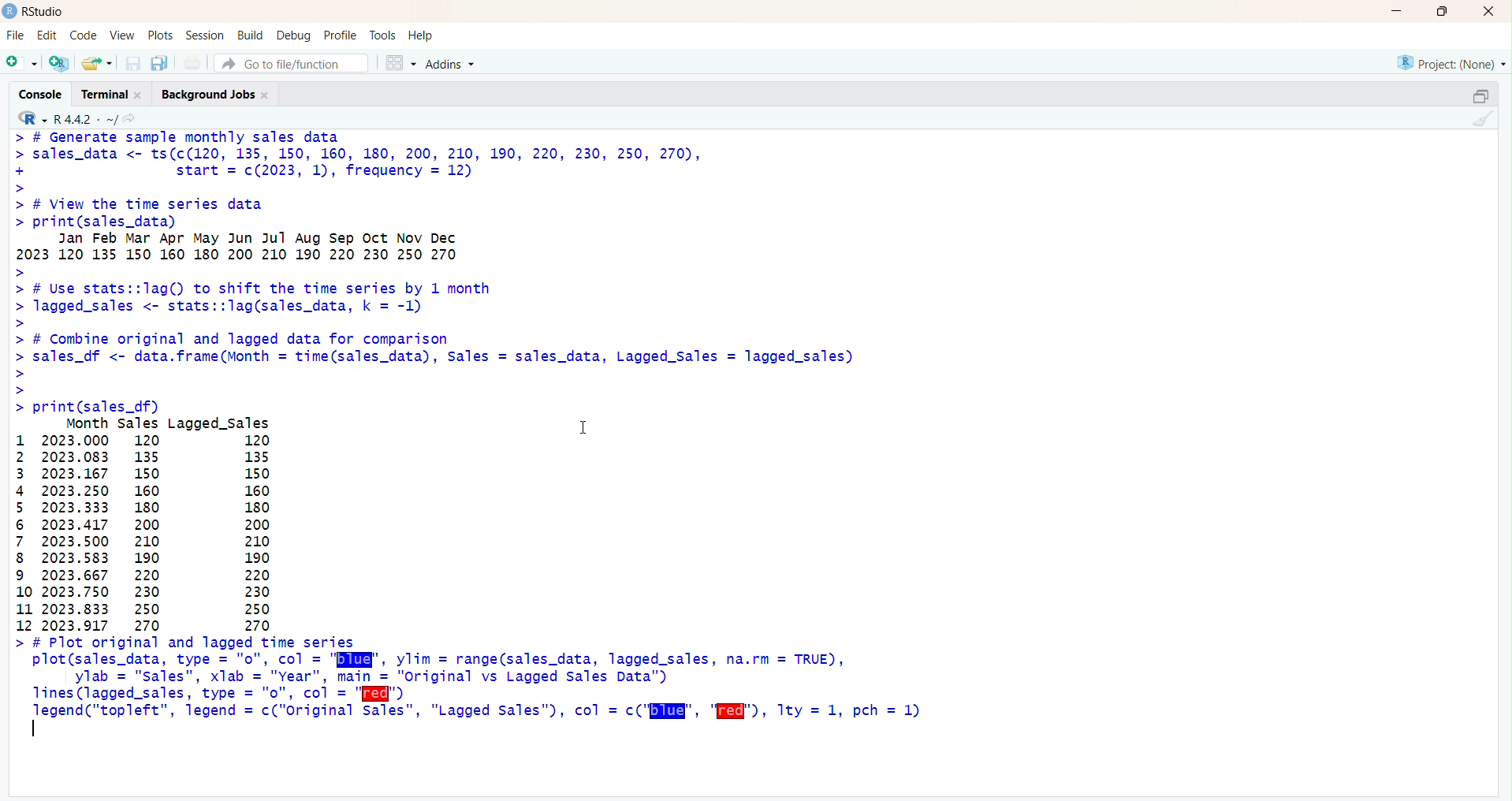  I want to click on cursor, so click(584, 430).